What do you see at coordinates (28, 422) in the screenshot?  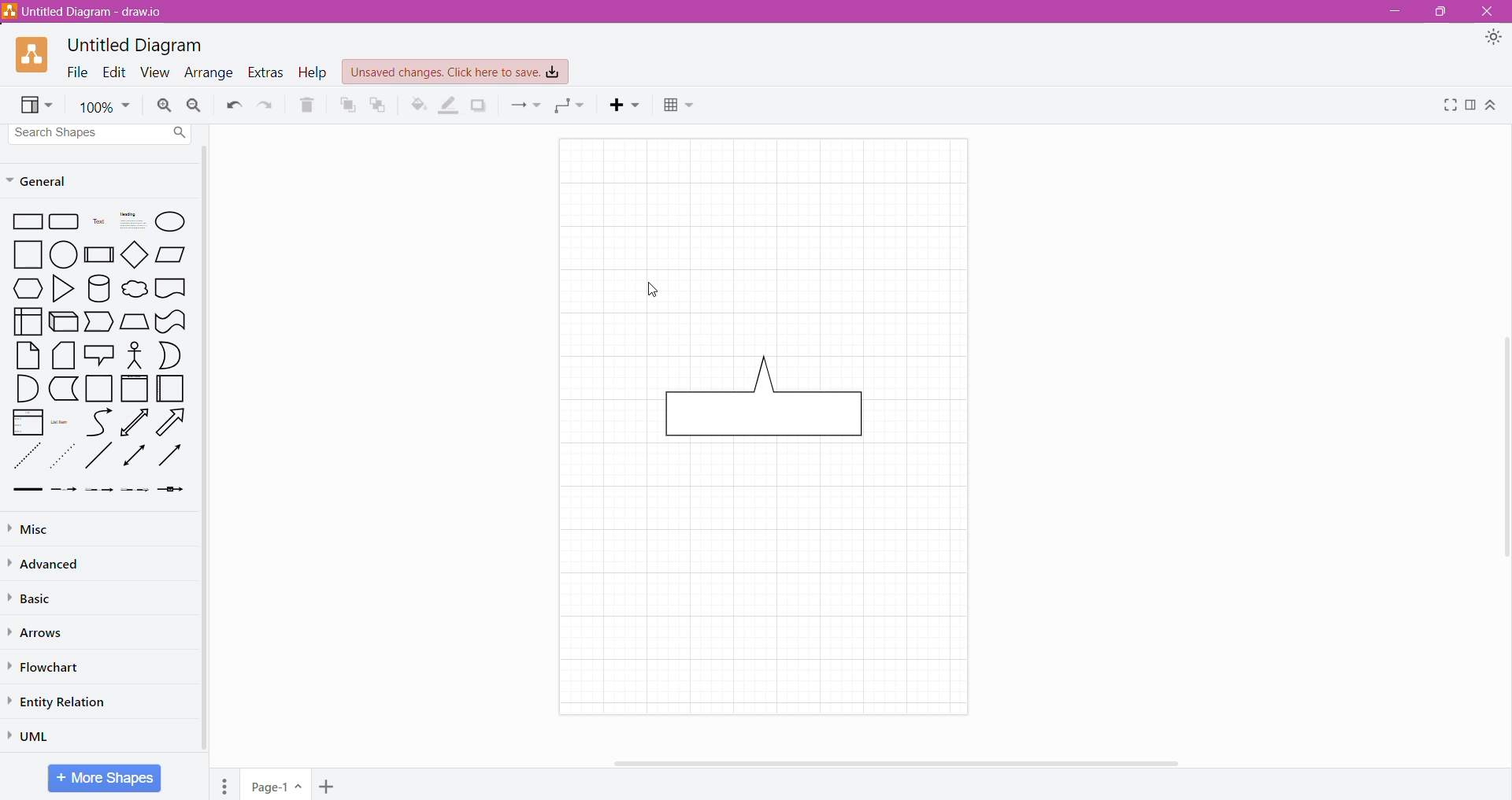 I see `List Box` at bounding box center [28, 422].